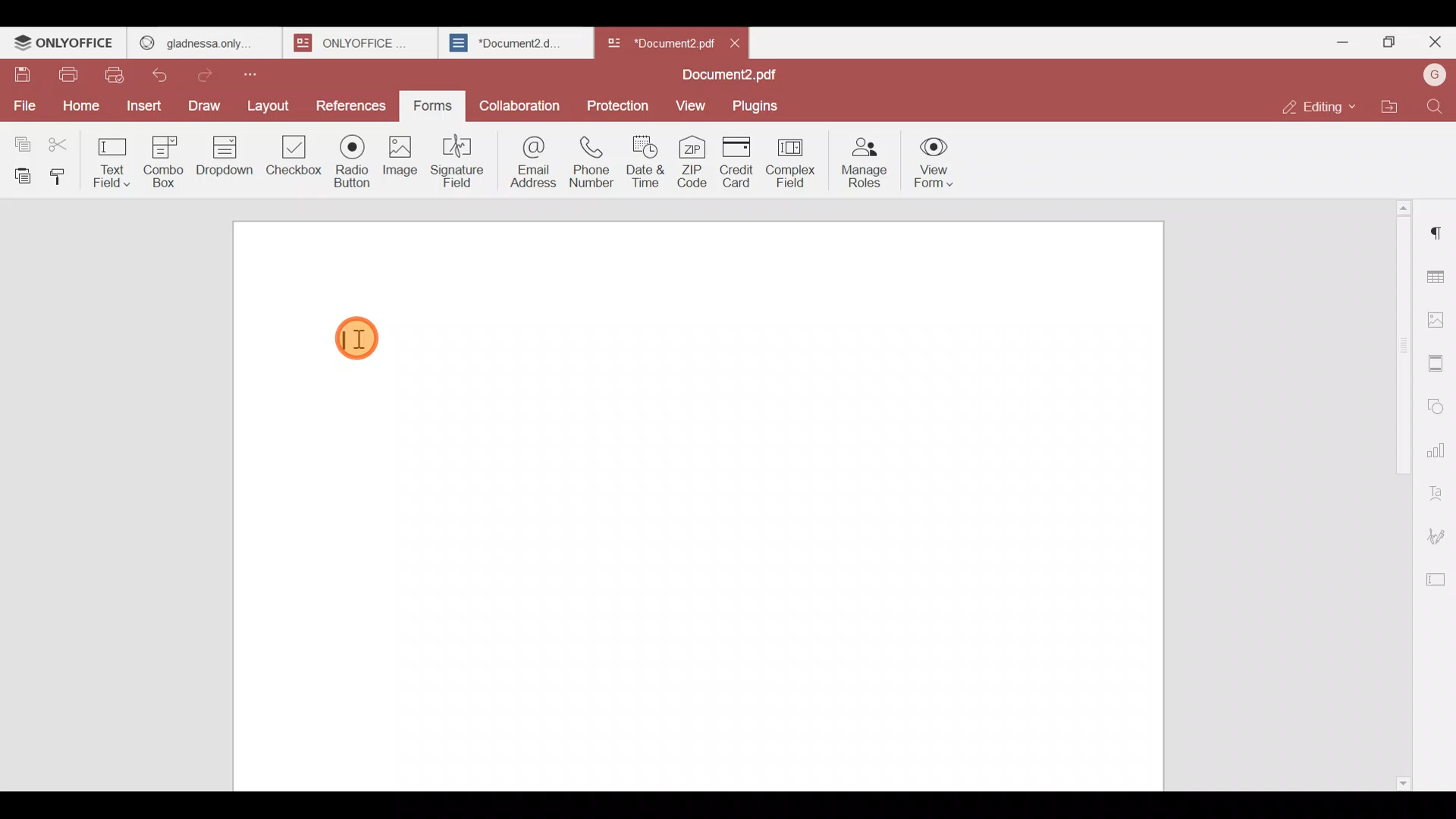 Image resolution: width=1456 pixels, height=819 pixels. What do you see at coordinates (619, 104) in the screenshot?
I see `Protection` at bounding box center [619, 104].